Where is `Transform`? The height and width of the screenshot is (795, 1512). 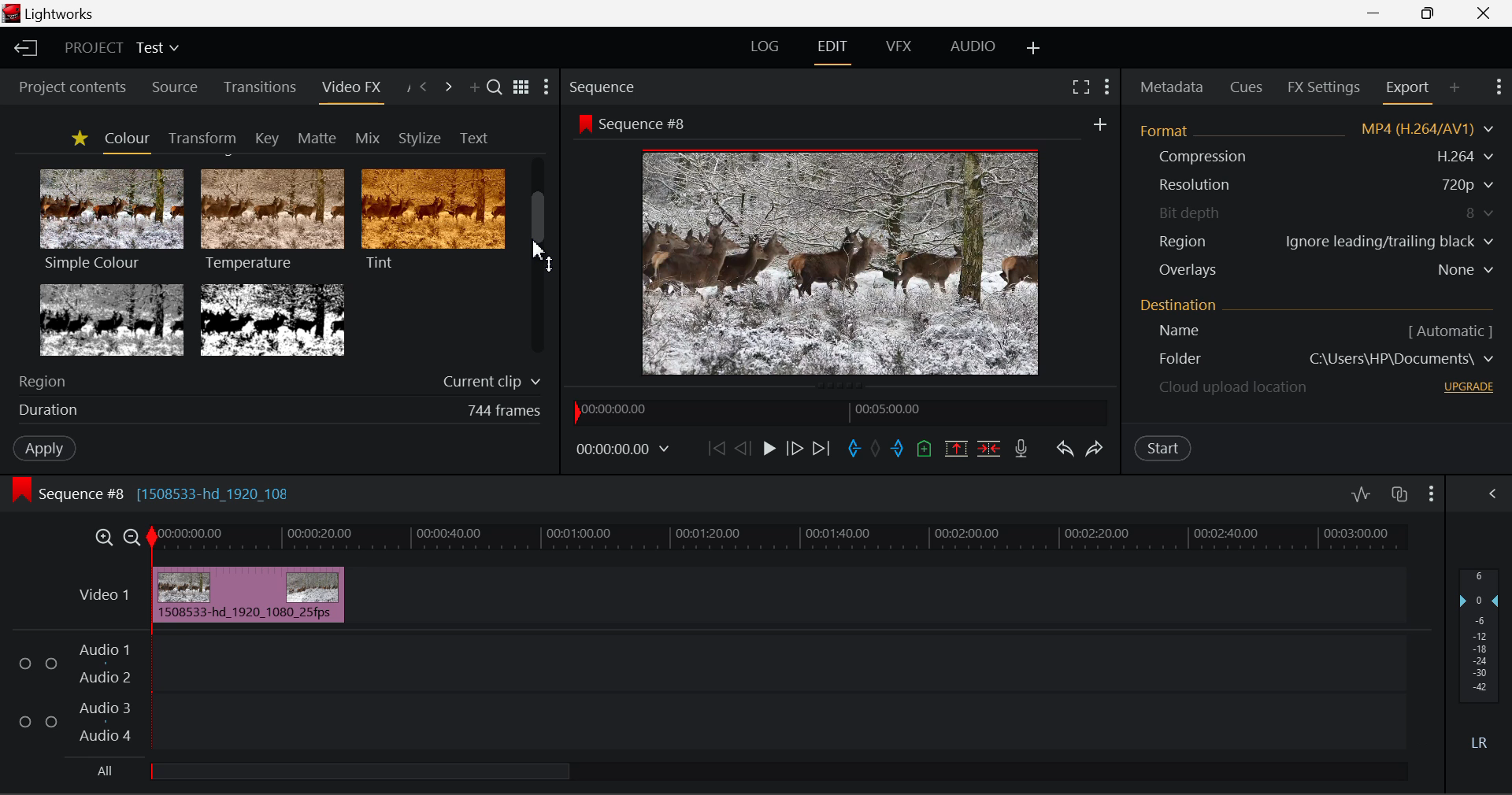 Transform is located at coordinates (199, 137).